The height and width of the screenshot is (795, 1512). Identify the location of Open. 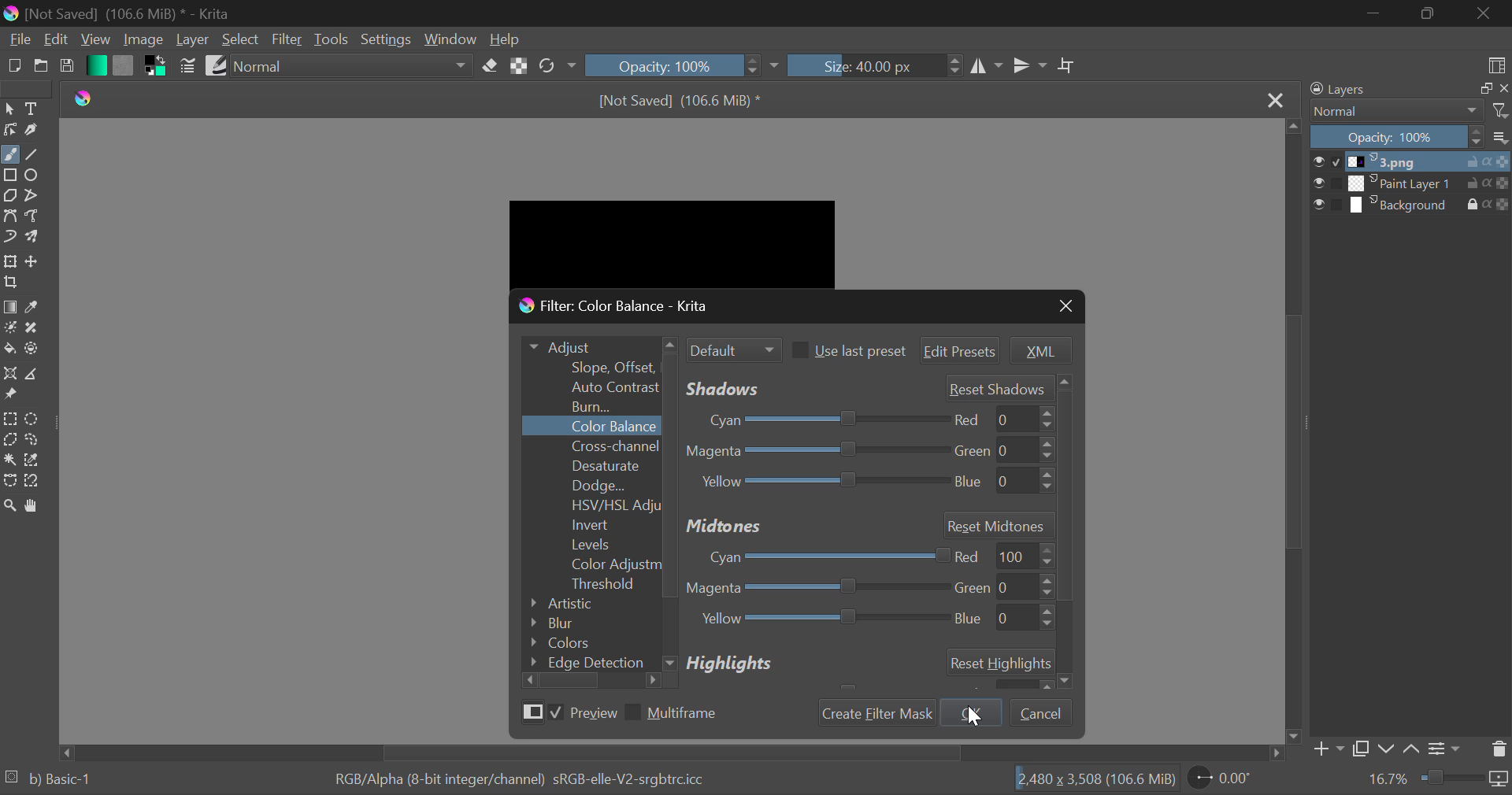
(43, 68).